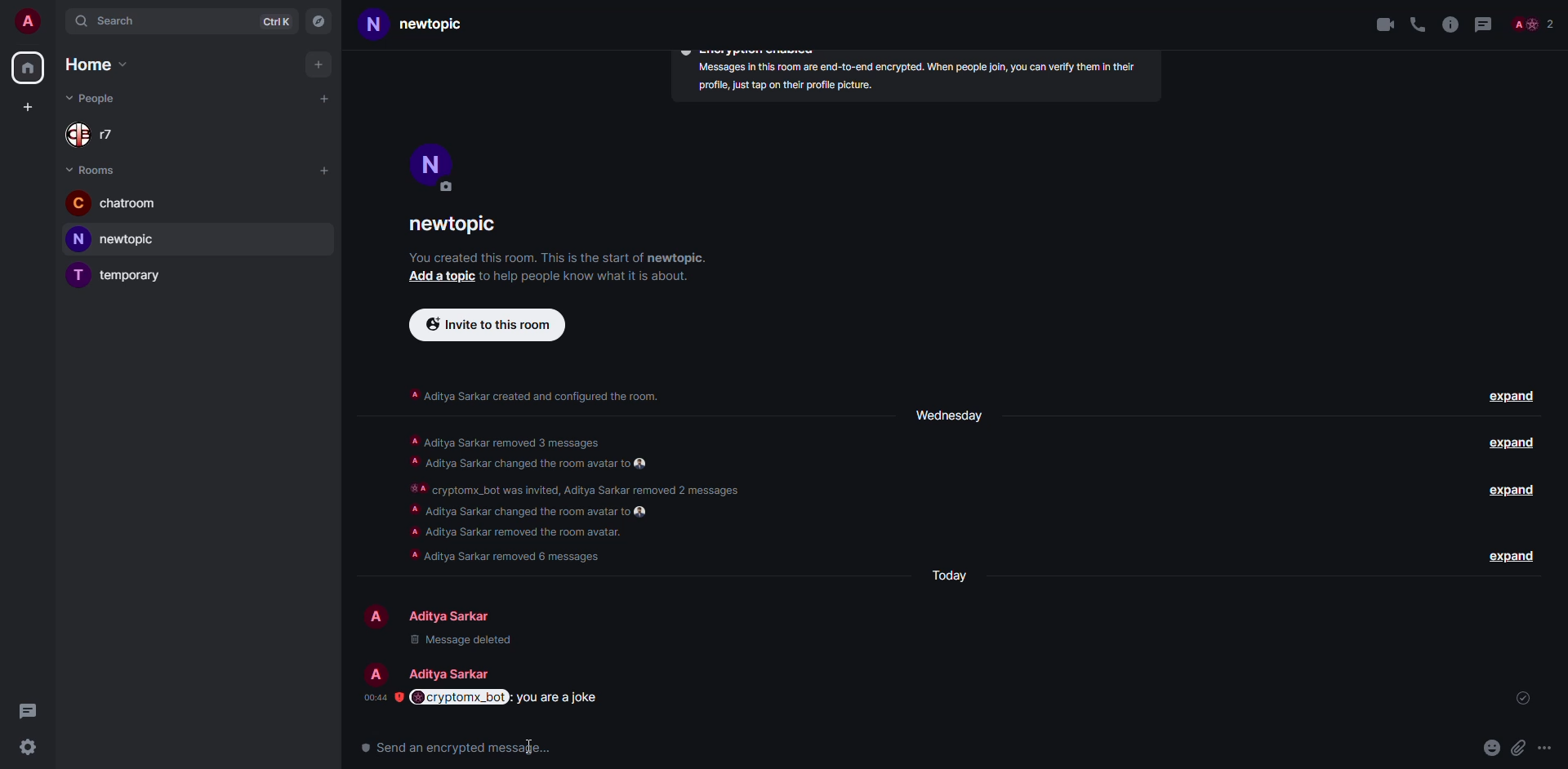 Image resolution: width=1568 pixels, height=769 pixels. What do you see at coordinates (118, 239) in the screenshot?
I see `room` at bounding box center [118, 239].